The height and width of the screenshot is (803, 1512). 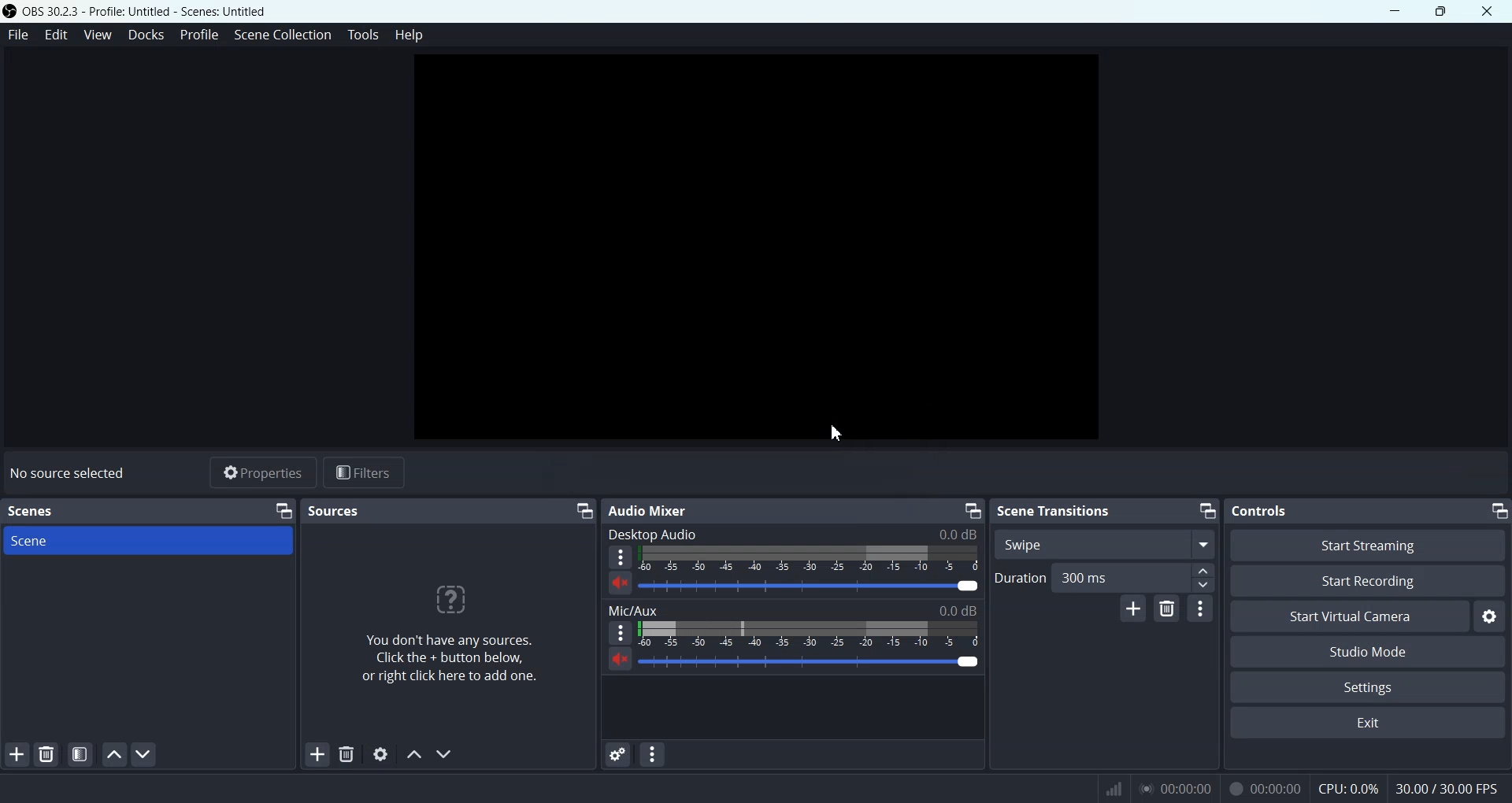 What do you see at coordinates (139, 10) in the screenshot?
I see `OBS 30.2.3 - Profile: Untitled - Scenes: Untitled` at bounding box center [139, 10].